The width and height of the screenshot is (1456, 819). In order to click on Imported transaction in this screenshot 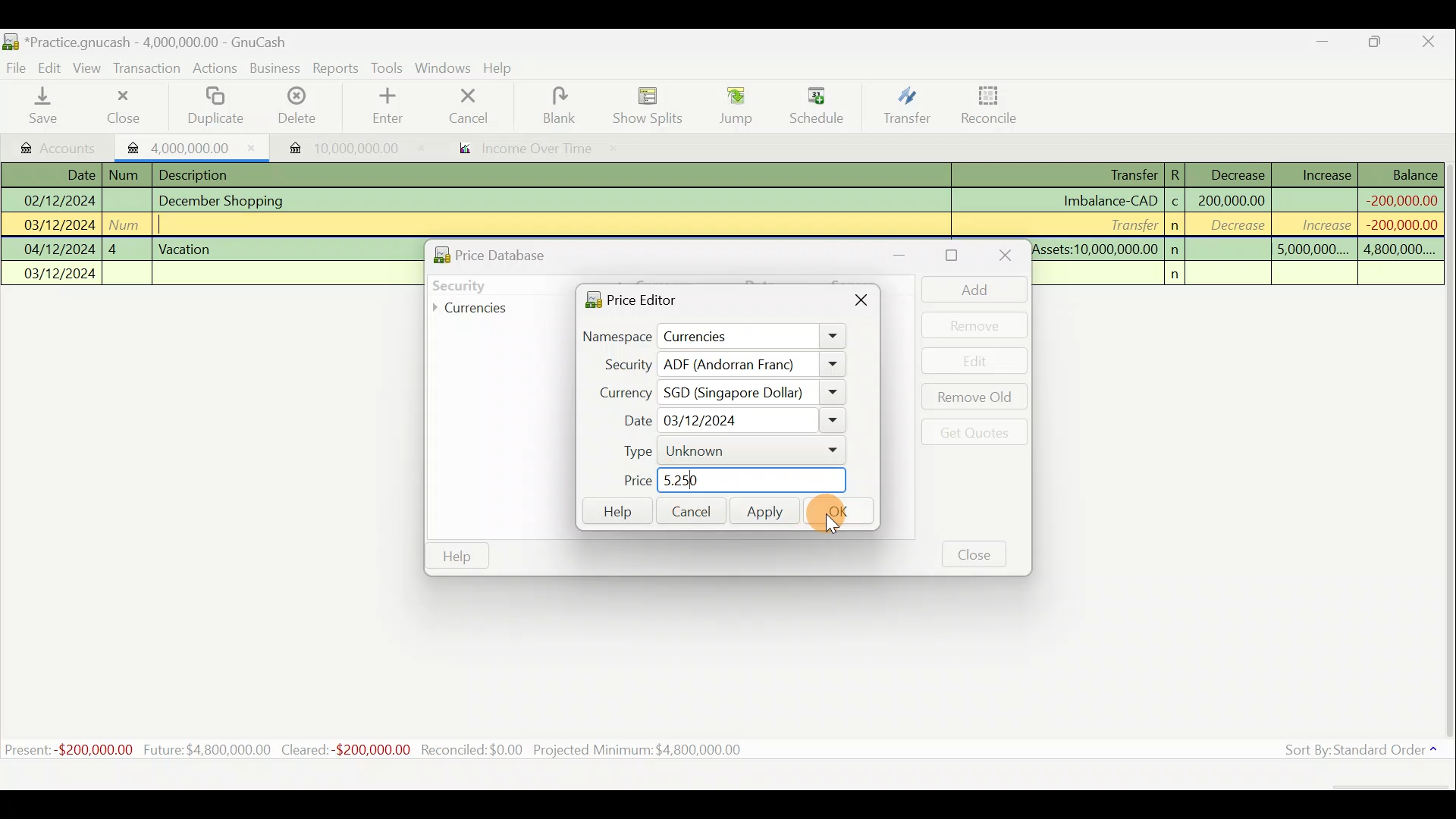, I will do `click(186, 146)`.